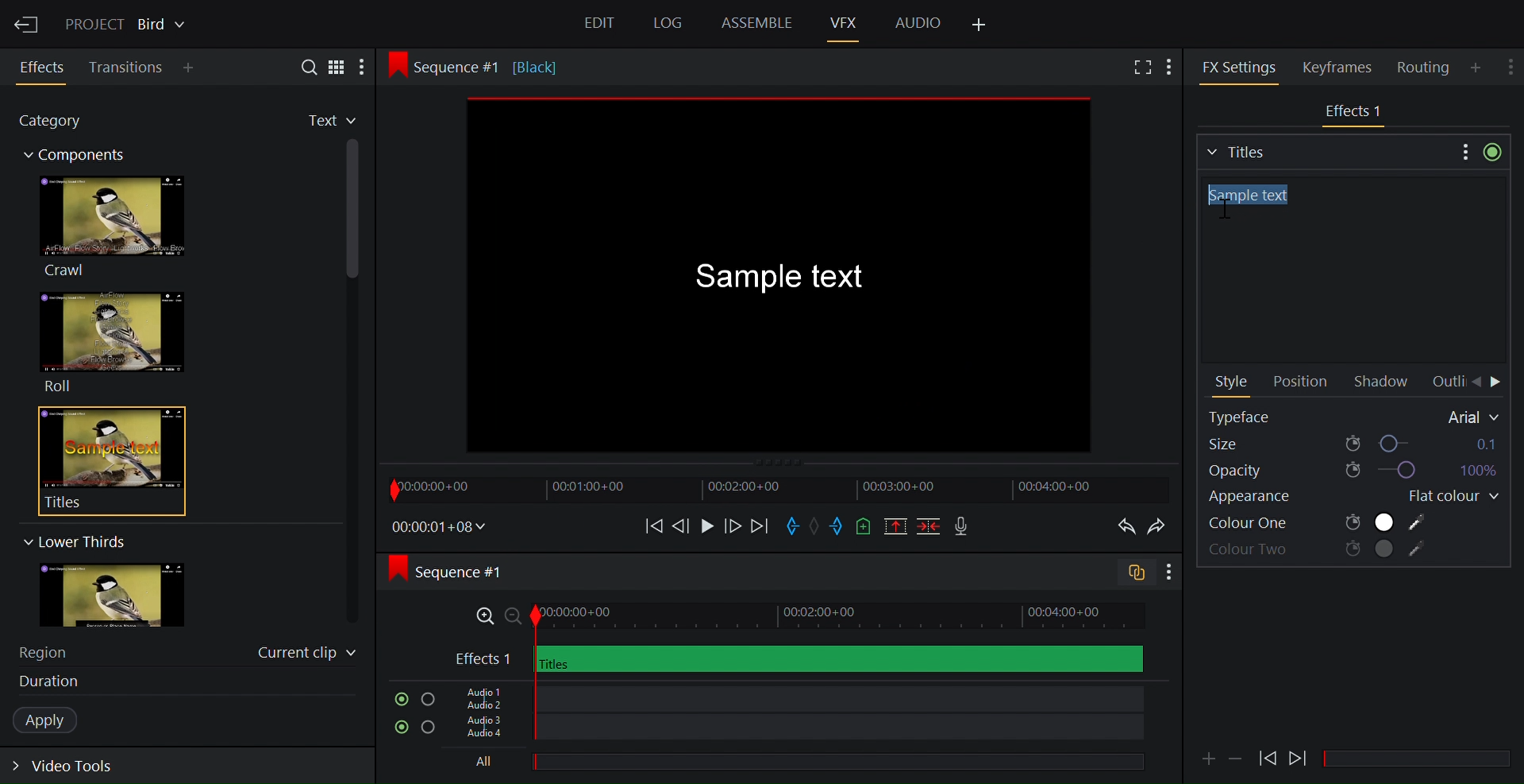 The height and width of the screenshot is (784, 1524). What do you see at coordinates (398, 699) in the screenshot?
I see `Mute/Unmute` at bounding box center [398, 699].